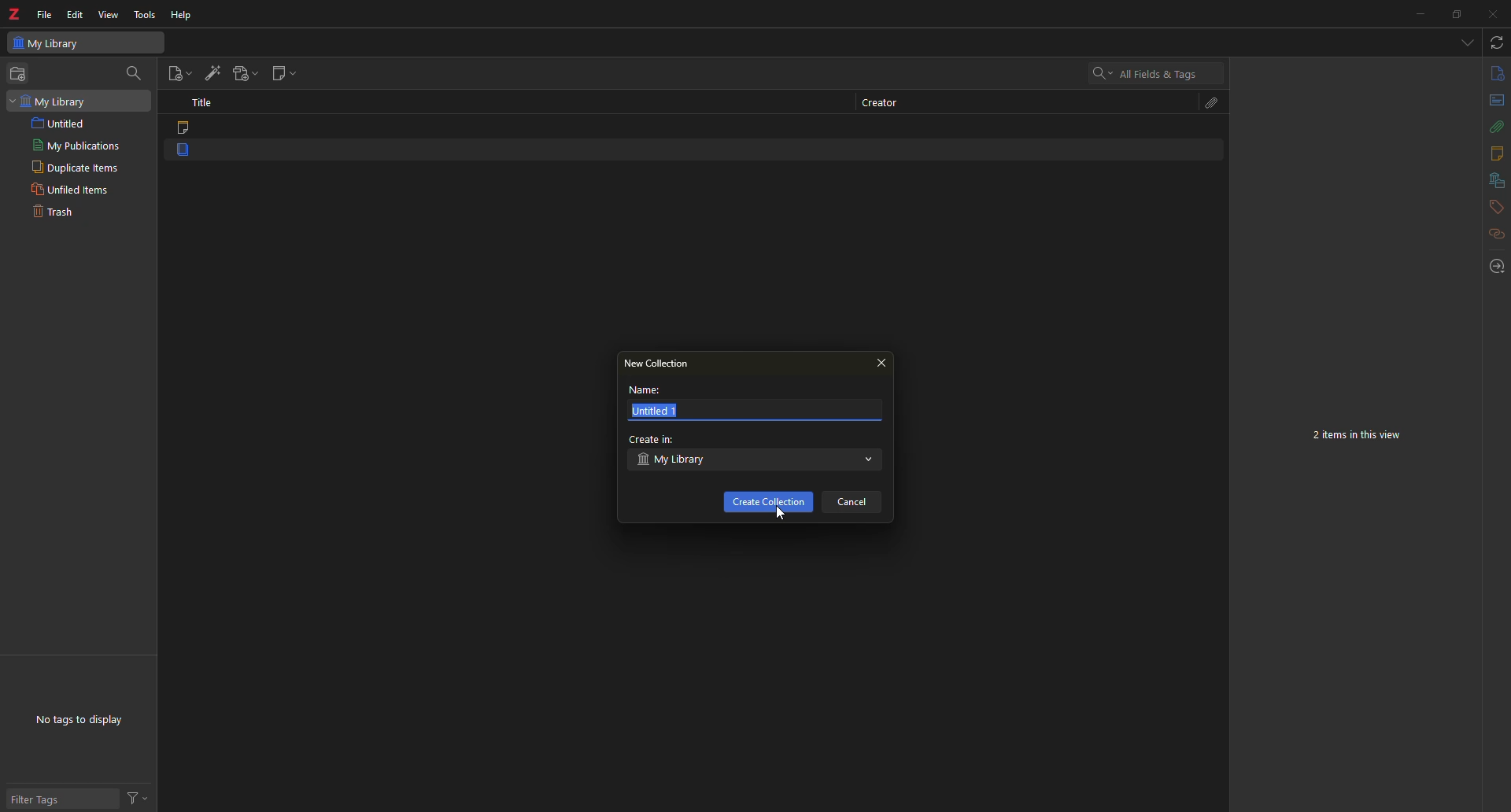  Describe the element at coordinates (248, 72) in the screenshot. I see `add attachment` at that location.